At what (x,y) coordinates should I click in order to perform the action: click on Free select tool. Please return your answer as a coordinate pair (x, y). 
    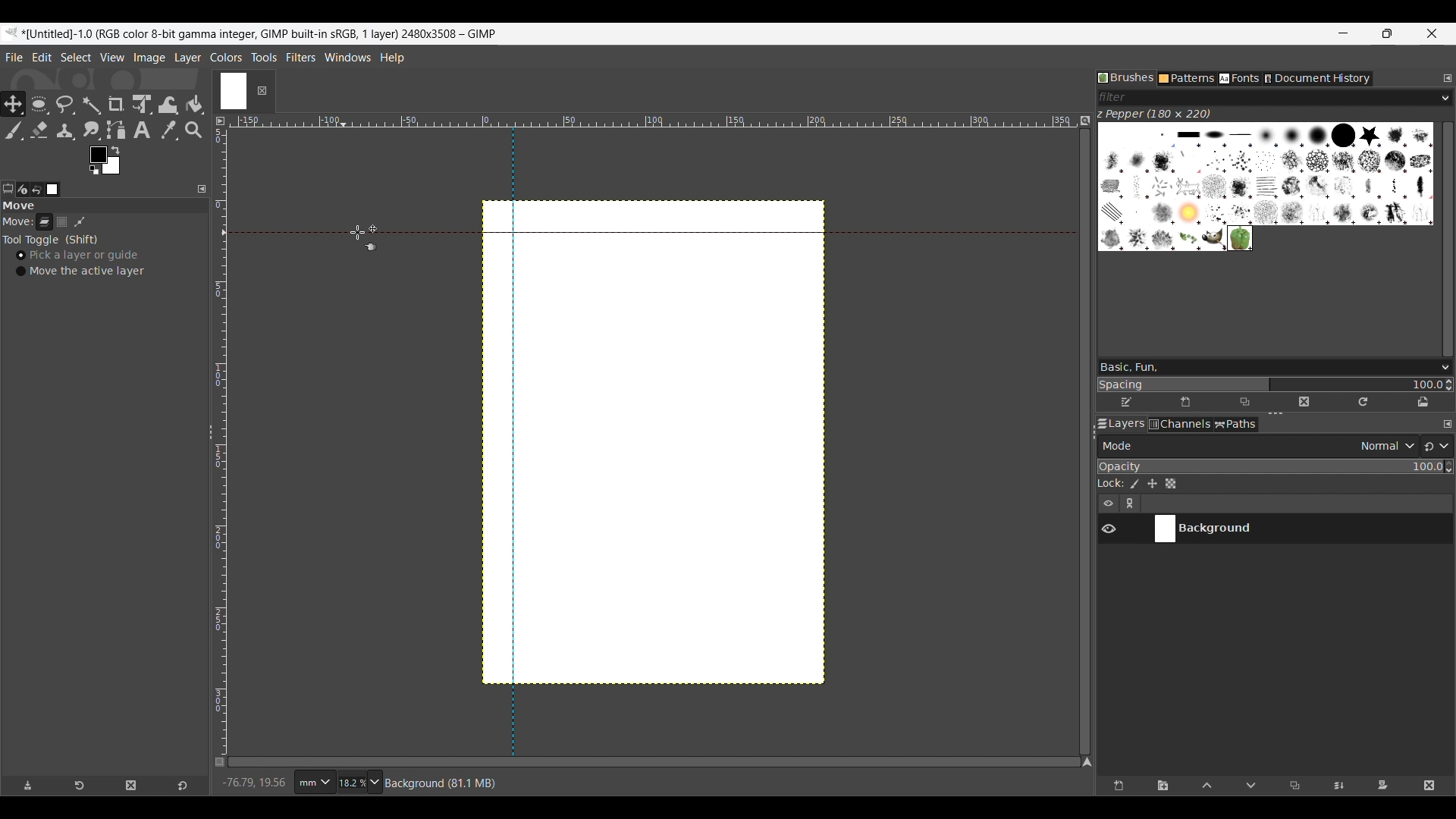
    Looking at the image, I should click on (64, 104).